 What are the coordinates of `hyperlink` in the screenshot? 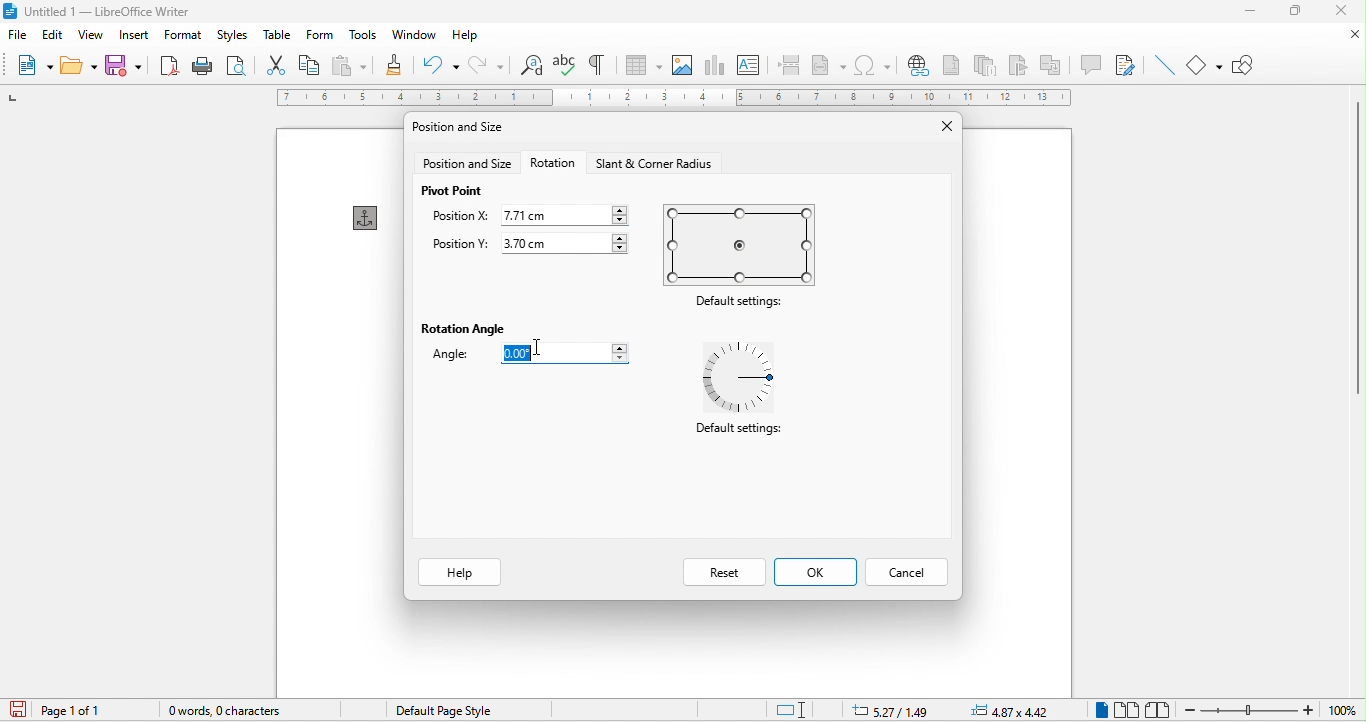 It's located at (916, 65).